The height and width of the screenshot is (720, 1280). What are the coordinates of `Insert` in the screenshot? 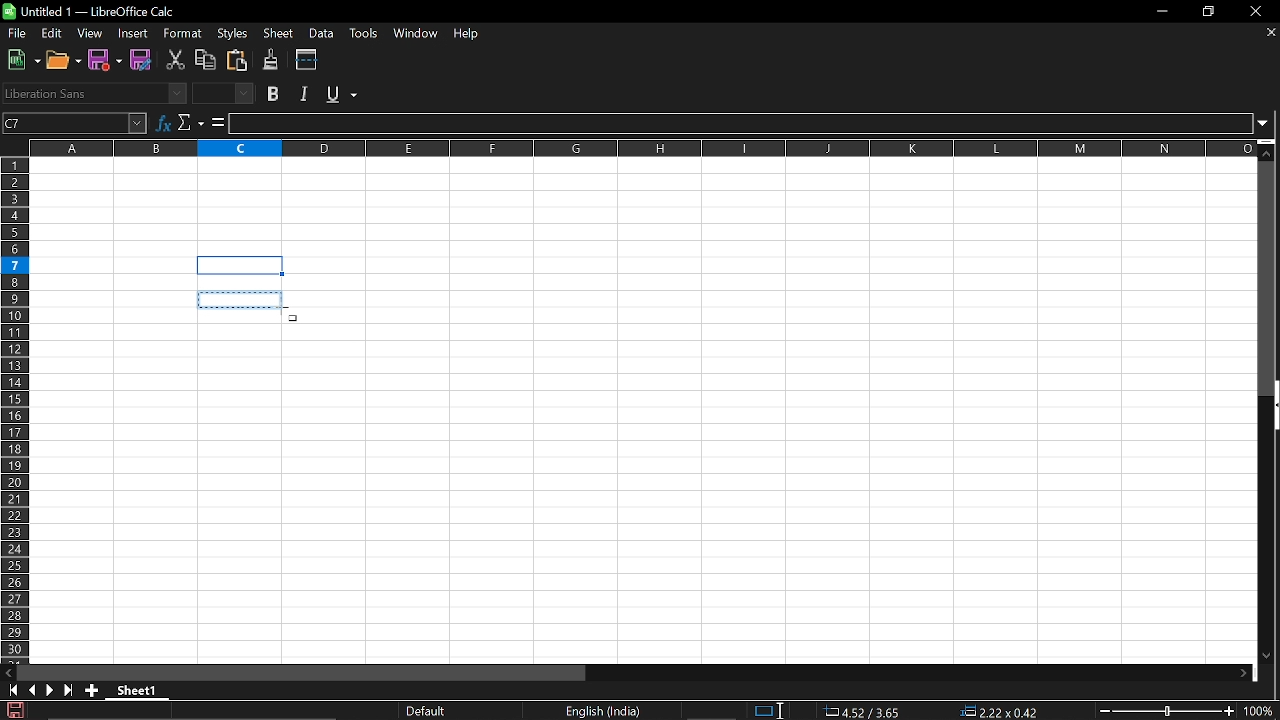 It's located at (130, 34).